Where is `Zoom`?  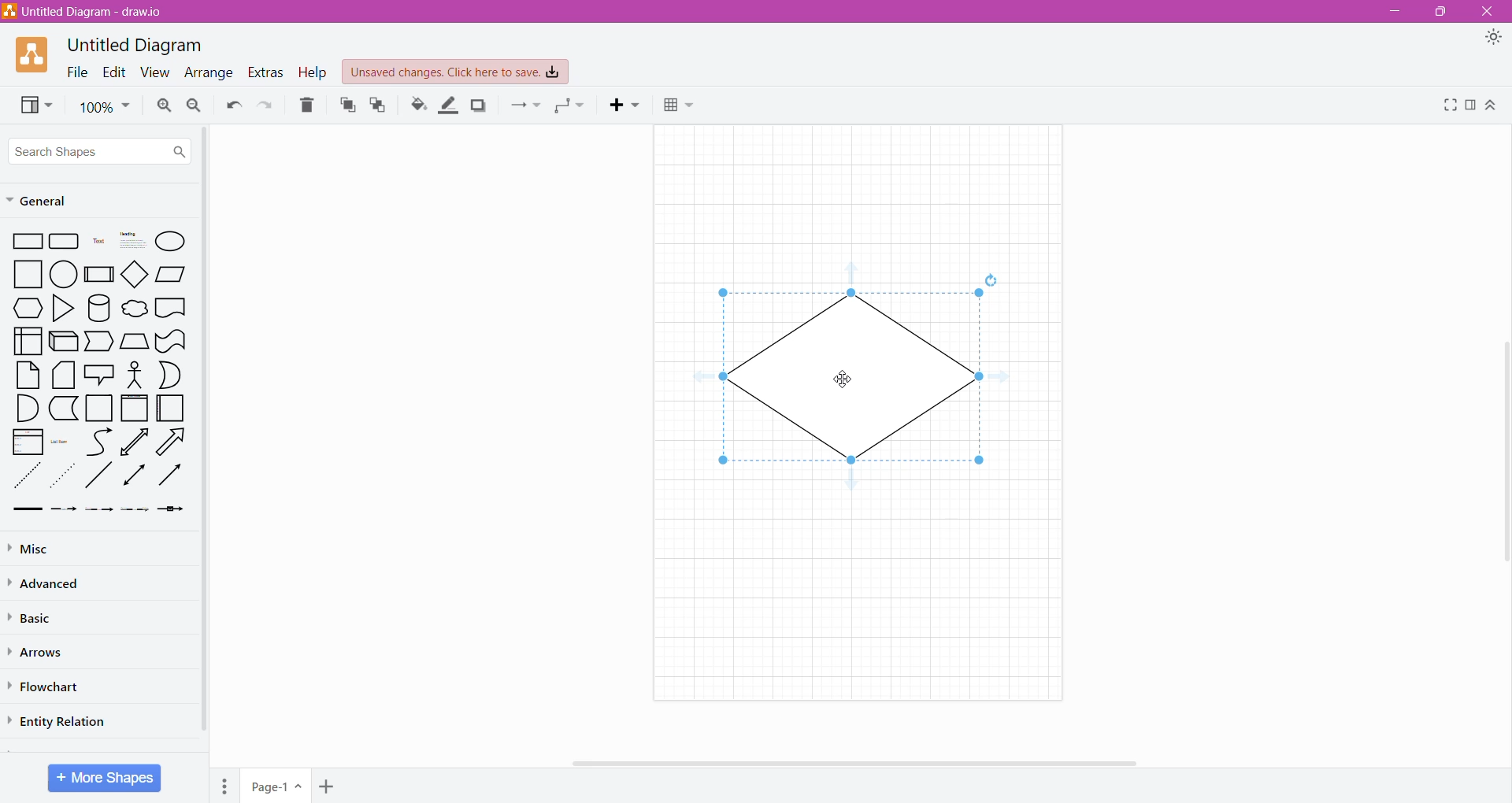 Zoom is located at coordinates (105, 108).